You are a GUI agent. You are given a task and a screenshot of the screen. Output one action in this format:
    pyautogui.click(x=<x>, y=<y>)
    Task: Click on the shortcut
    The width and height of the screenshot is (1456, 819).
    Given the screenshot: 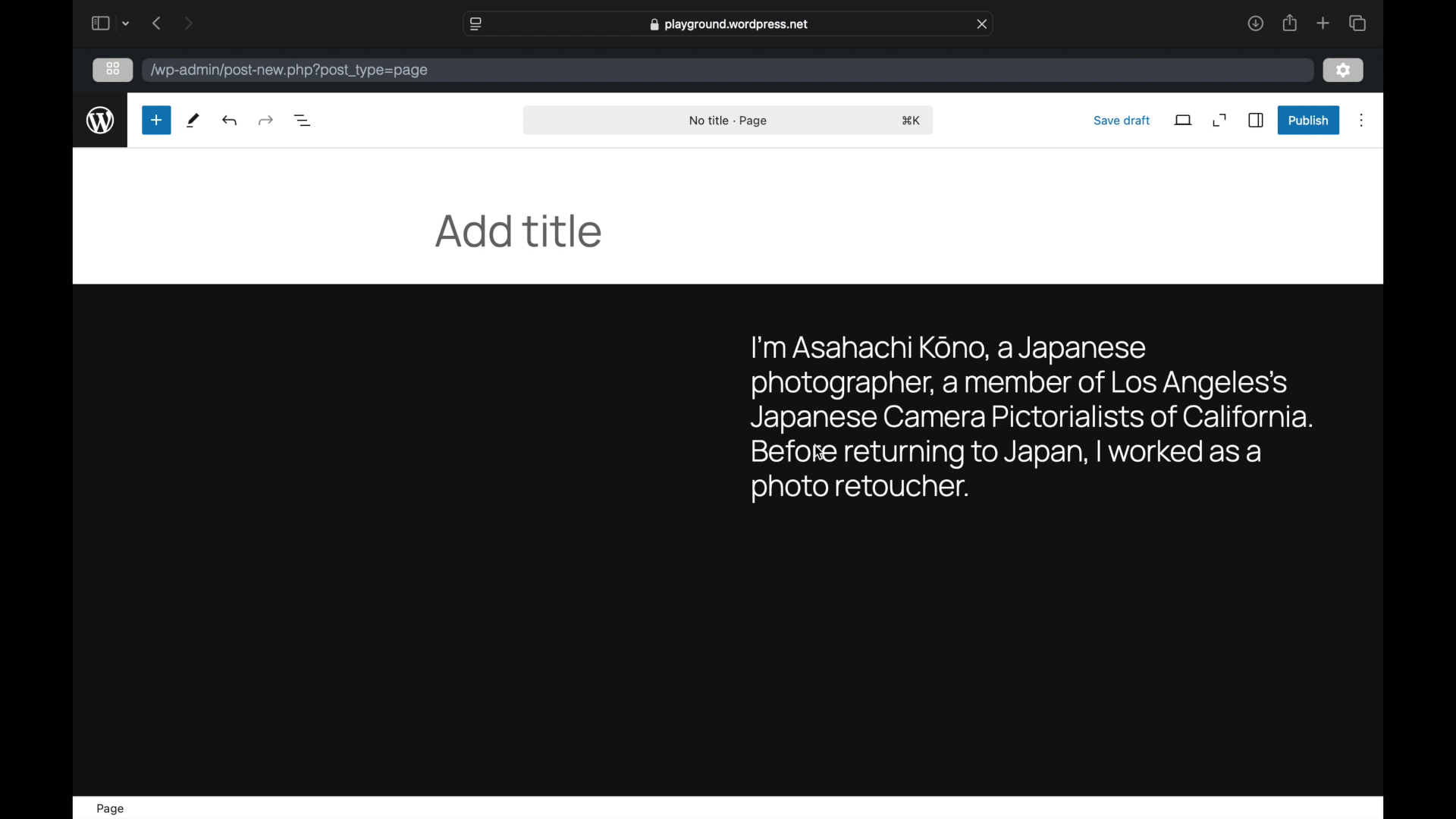 What is the action you would take?
    pyautogui.click(x=914, y=121)
    